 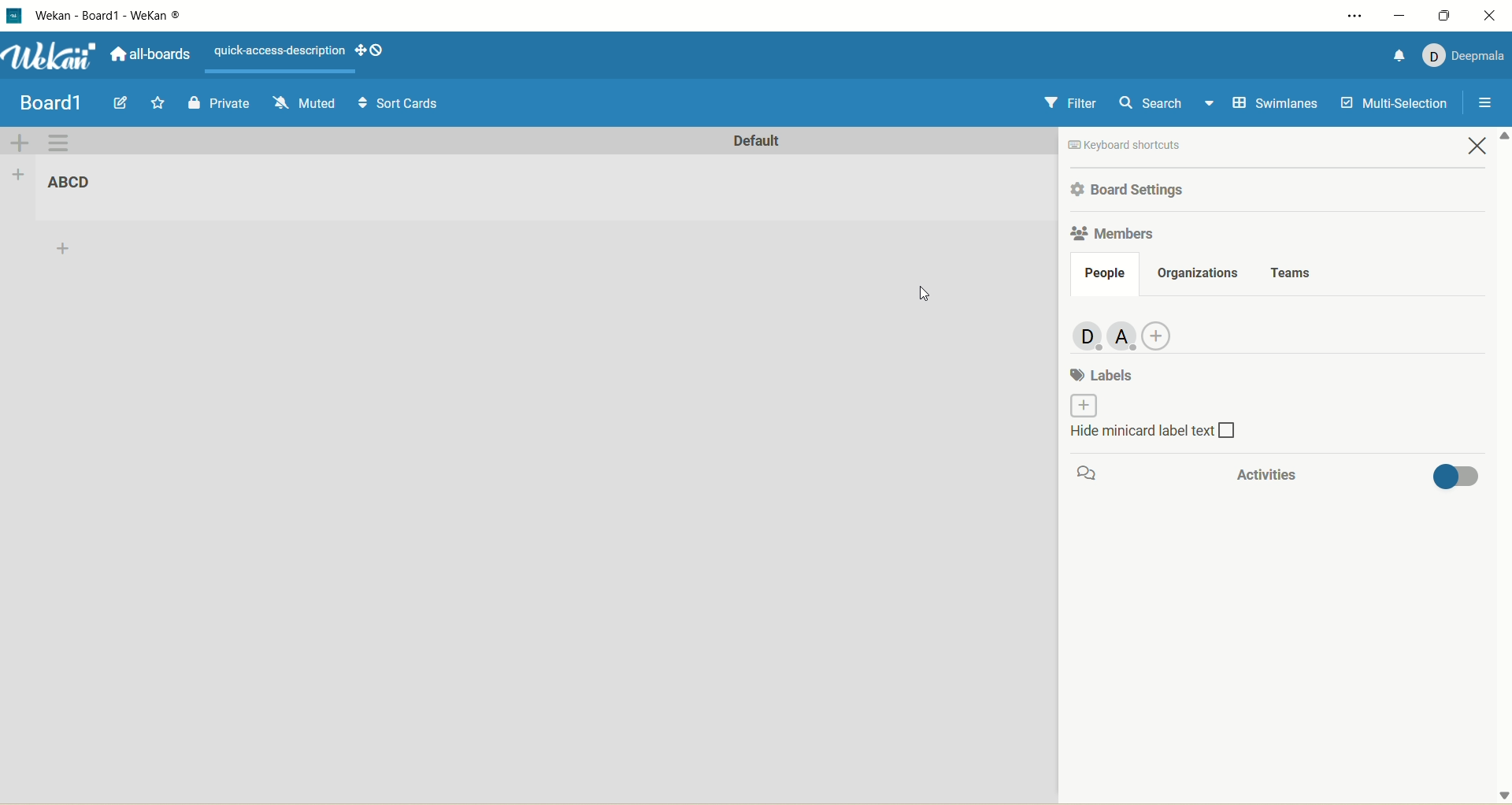 What do you see at coordinates (17, 16) in the screenshot?
I see `logo` at bounding box center [17, 16].